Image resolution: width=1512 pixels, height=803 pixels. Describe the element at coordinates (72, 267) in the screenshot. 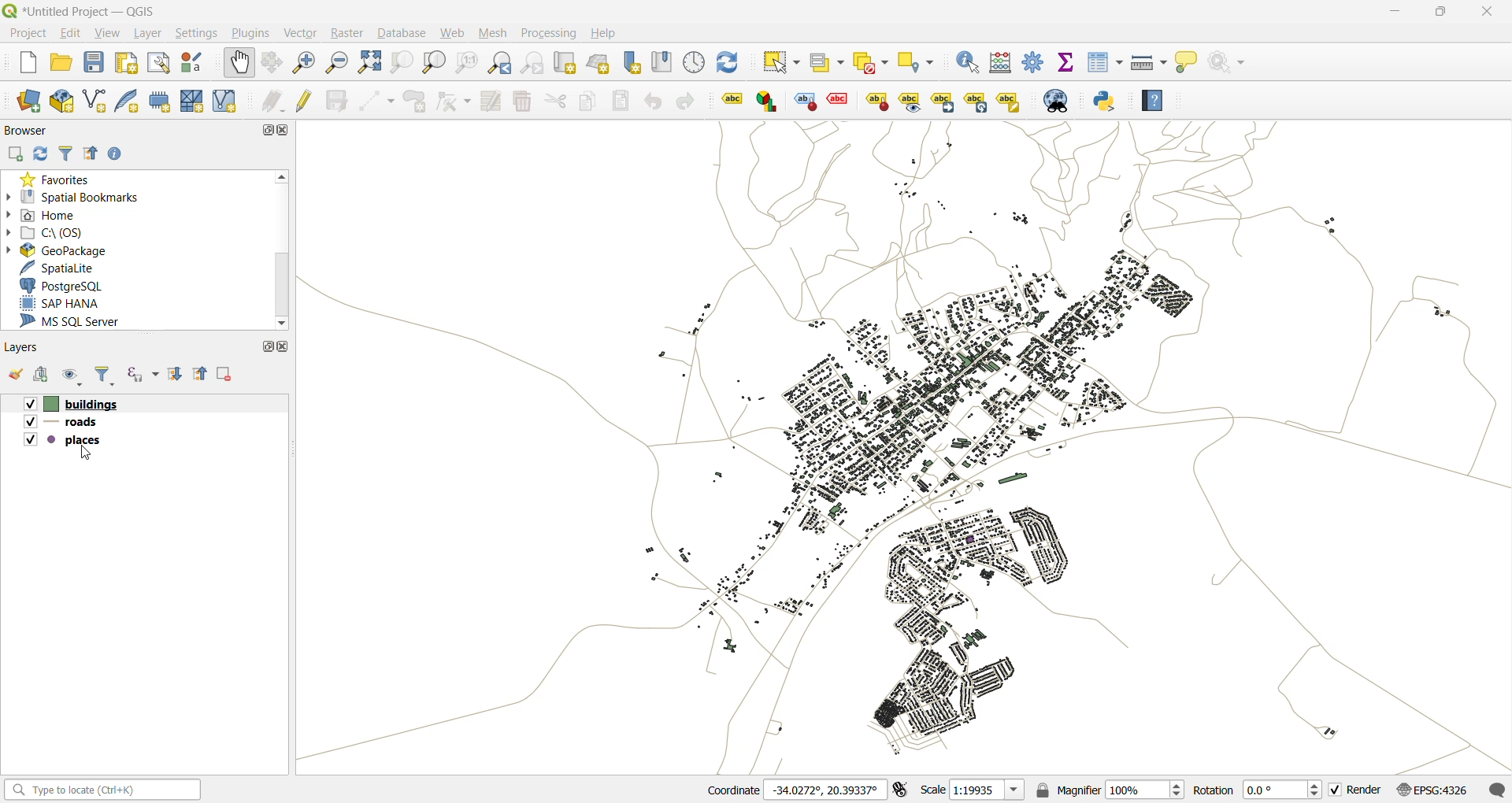

I see `spatilite` at that location.